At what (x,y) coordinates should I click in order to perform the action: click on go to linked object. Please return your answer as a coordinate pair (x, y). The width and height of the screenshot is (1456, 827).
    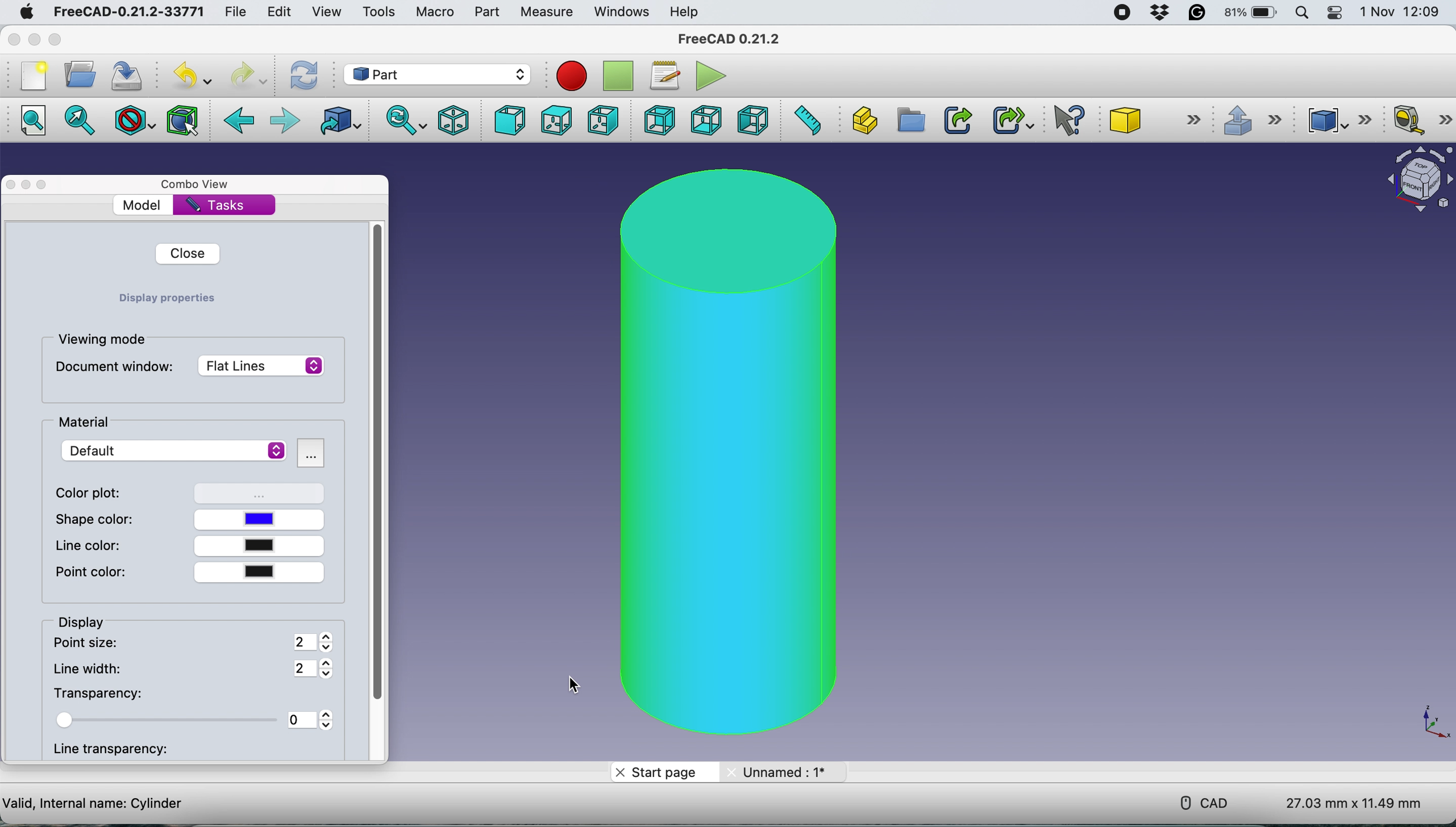
    Looking at the image, I should click on (343, 122).